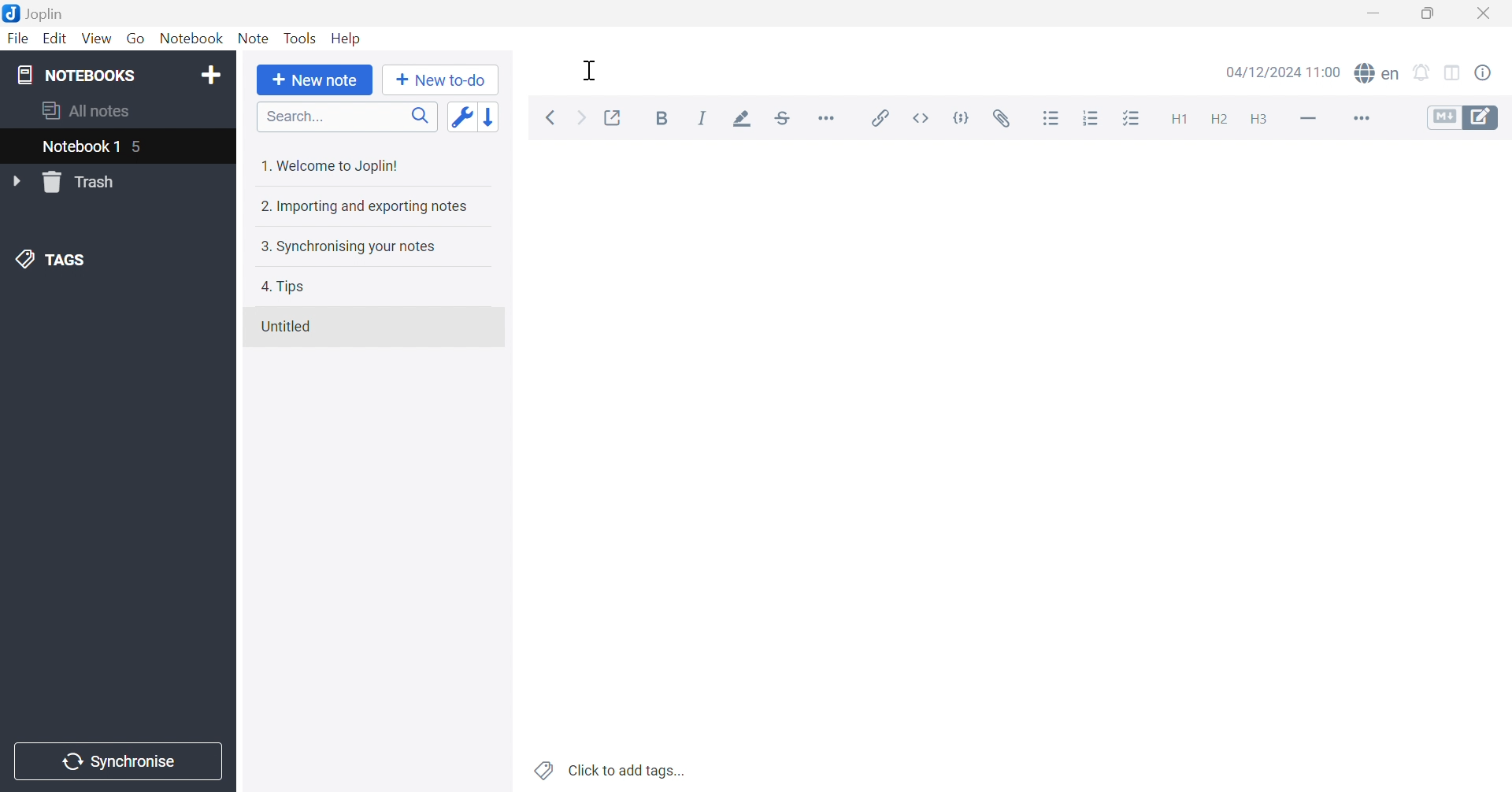 This screenshot has height=792, width=1512. What do you see at coordinates (17, 41) in the screenshot?
I see `File` at bounding box center [17, 41].